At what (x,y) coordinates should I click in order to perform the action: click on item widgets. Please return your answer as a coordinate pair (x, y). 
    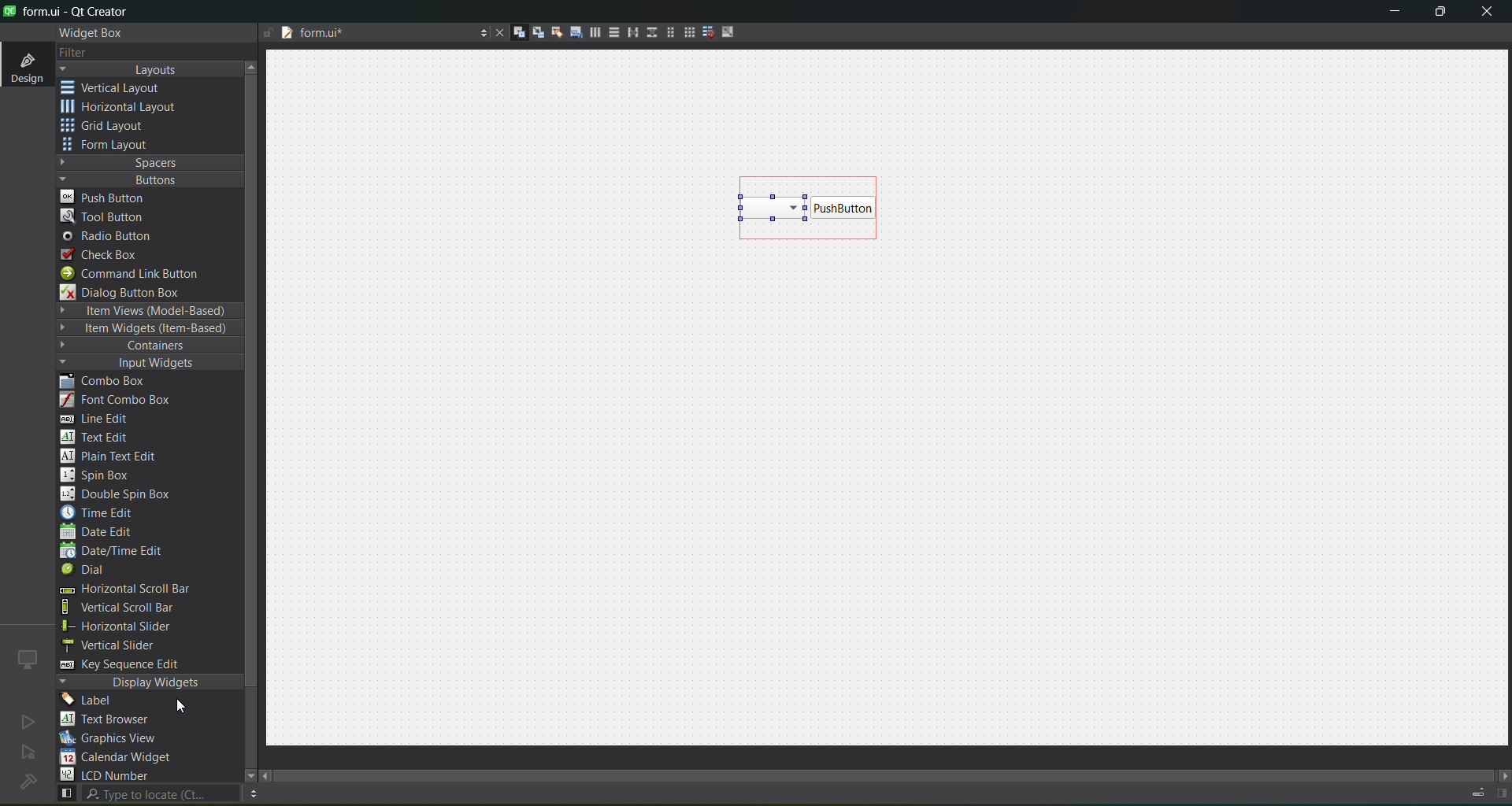
    Looking at the image, I should click on (146, 329).